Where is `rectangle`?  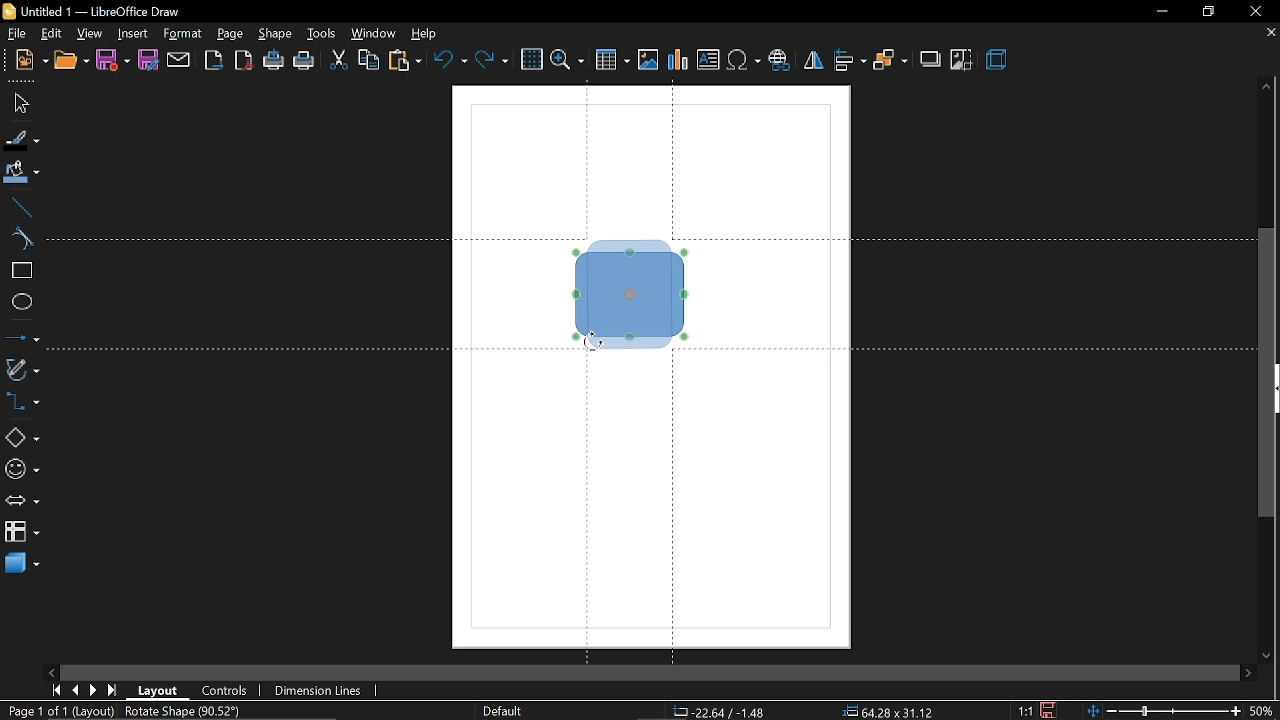
rectangle is located at coordinates (21, 272).